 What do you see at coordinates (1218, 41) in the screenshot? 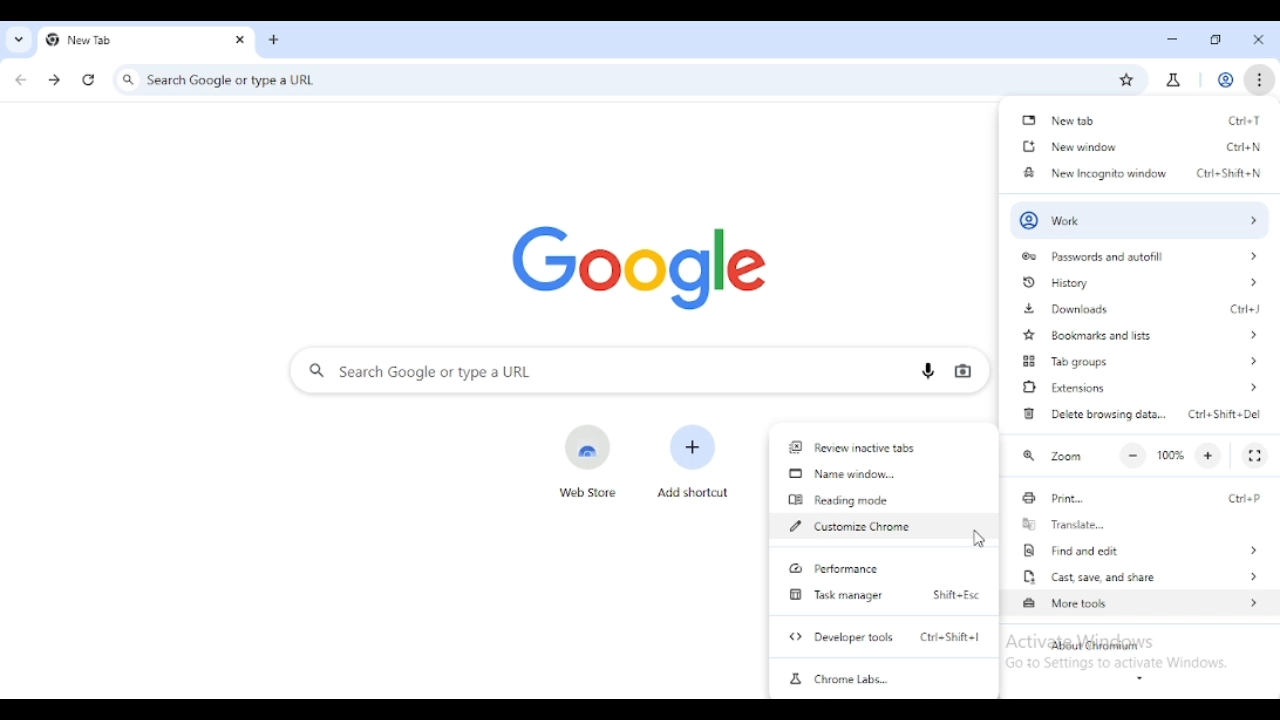
I see `maximize` at bounding box center [1218, 41].